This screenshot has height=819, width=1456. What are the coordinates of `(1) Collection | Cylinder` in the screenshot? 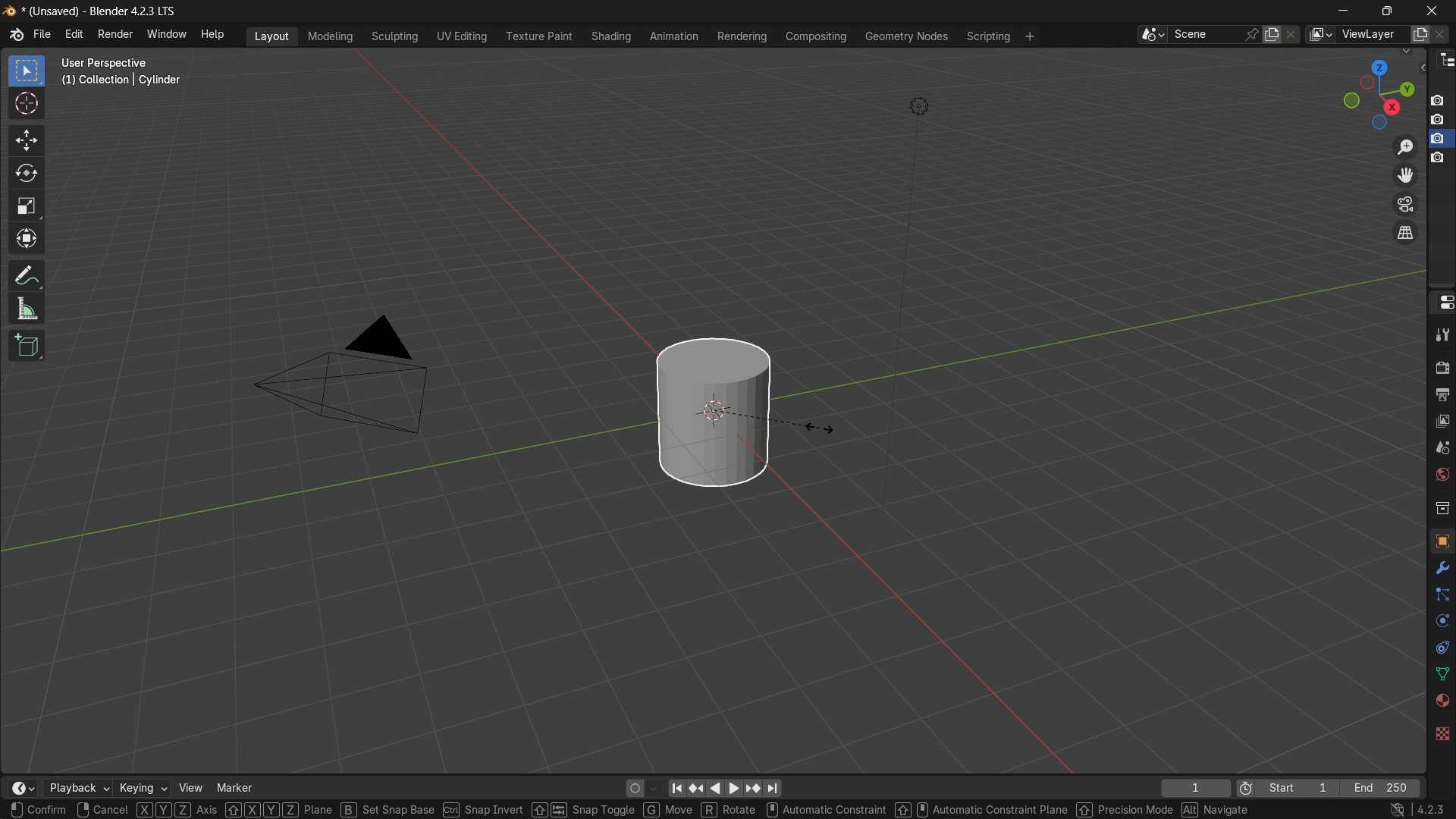 It's located at (121, 81).